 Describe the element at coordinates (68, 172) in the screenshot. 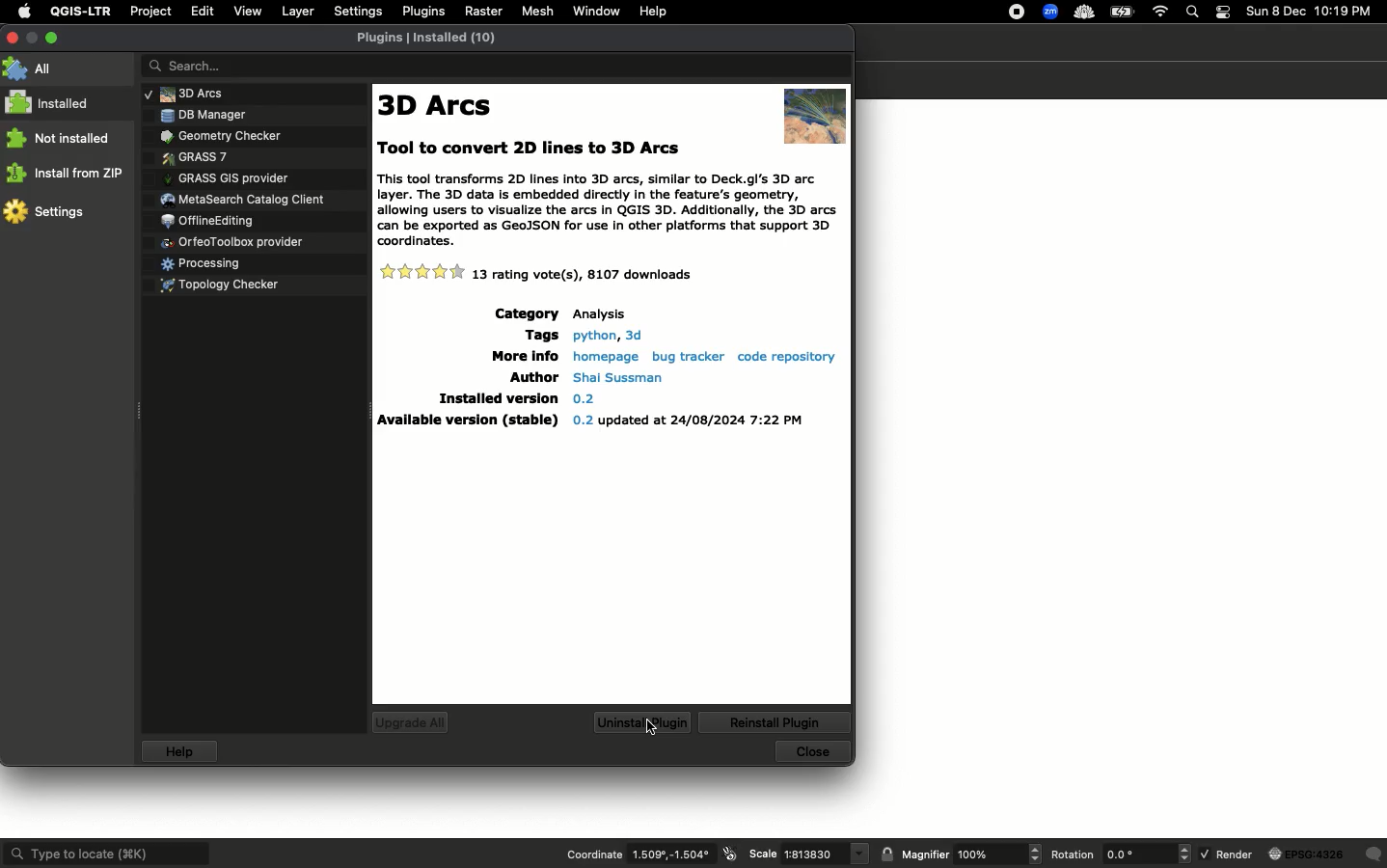

I see `Install from ZP` at that location.